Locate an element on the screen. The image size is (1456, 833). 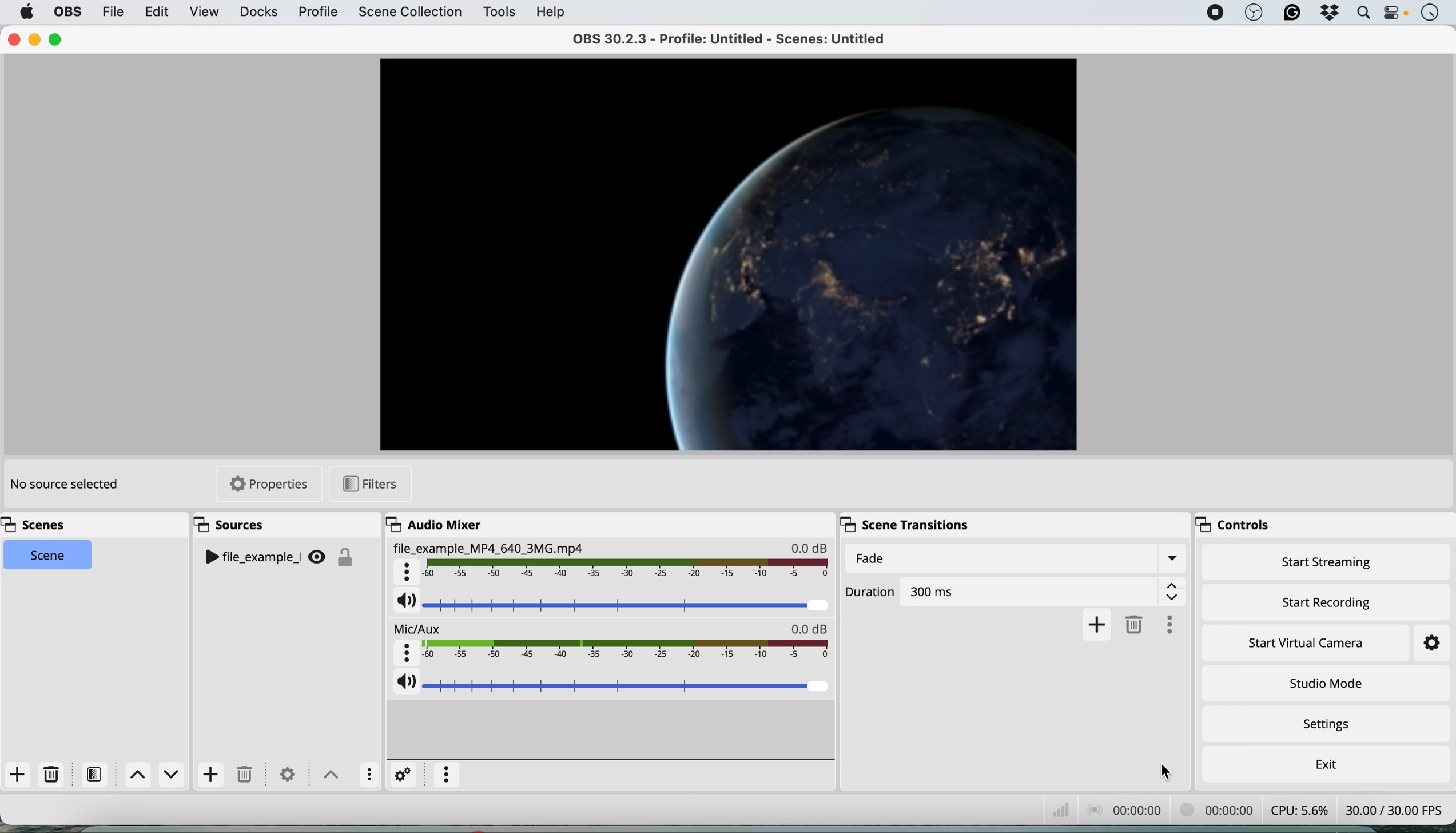
no source selected is located at coordinates (63, 485).